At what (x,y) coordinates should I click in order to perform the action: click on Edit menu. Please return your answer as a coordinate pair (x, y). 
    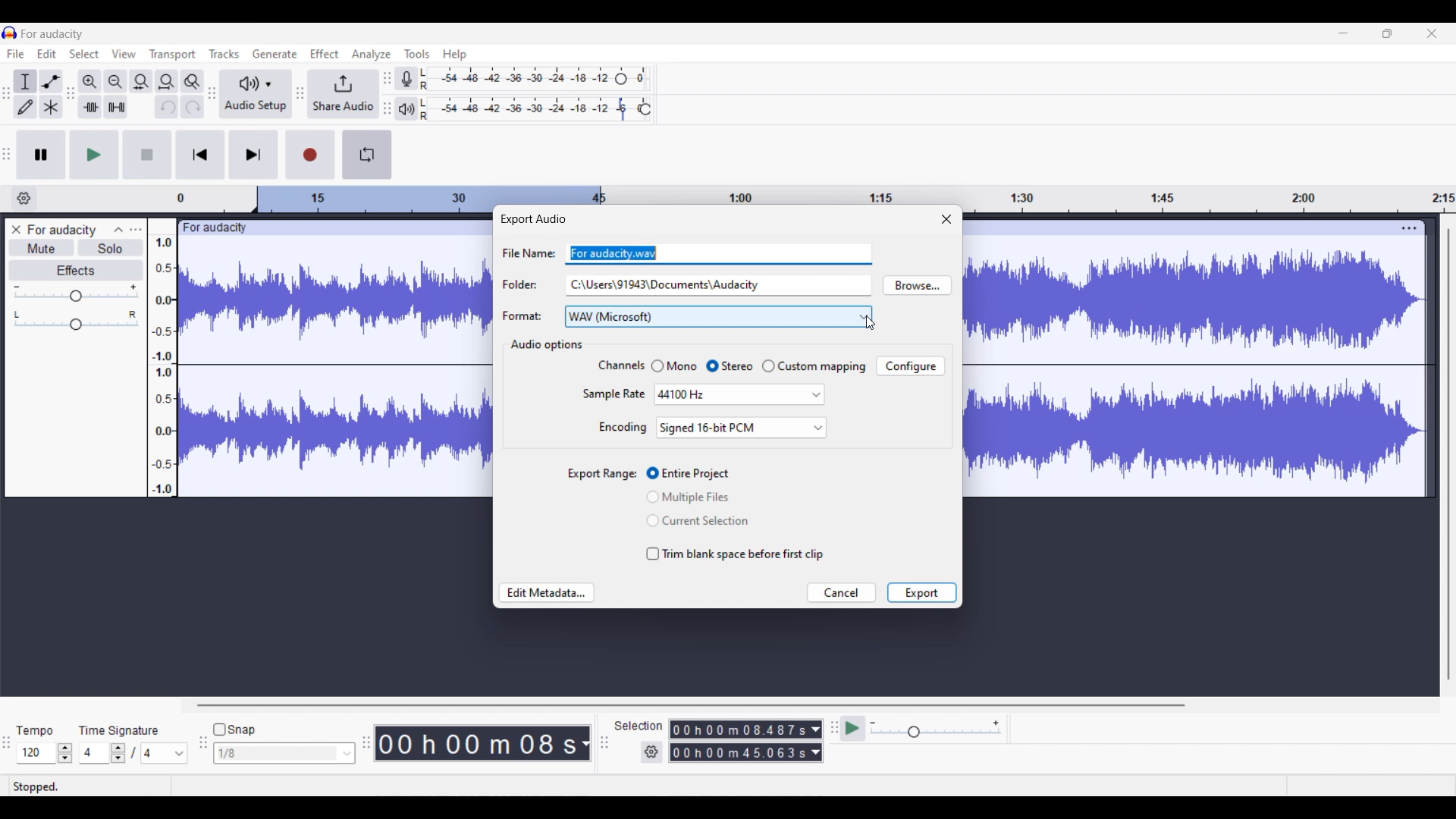
    Looking at the image, I should click on (46, 54).